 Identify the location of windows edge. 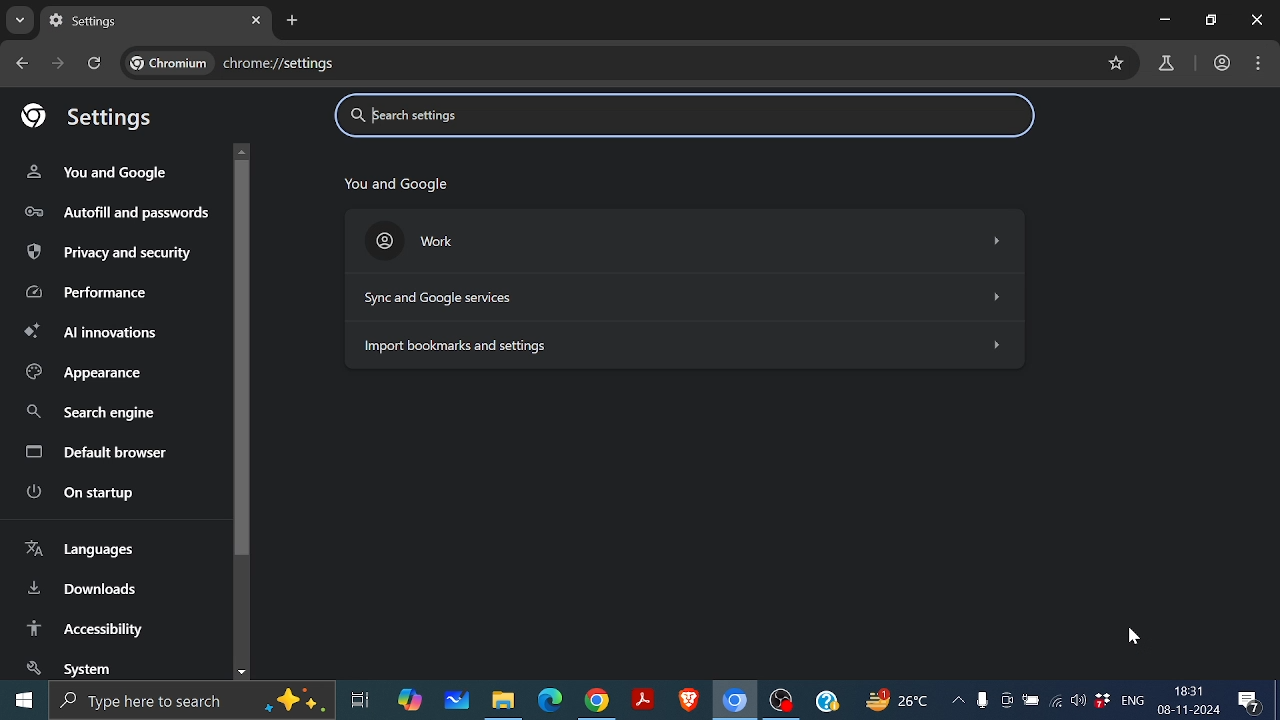
(550, 701).